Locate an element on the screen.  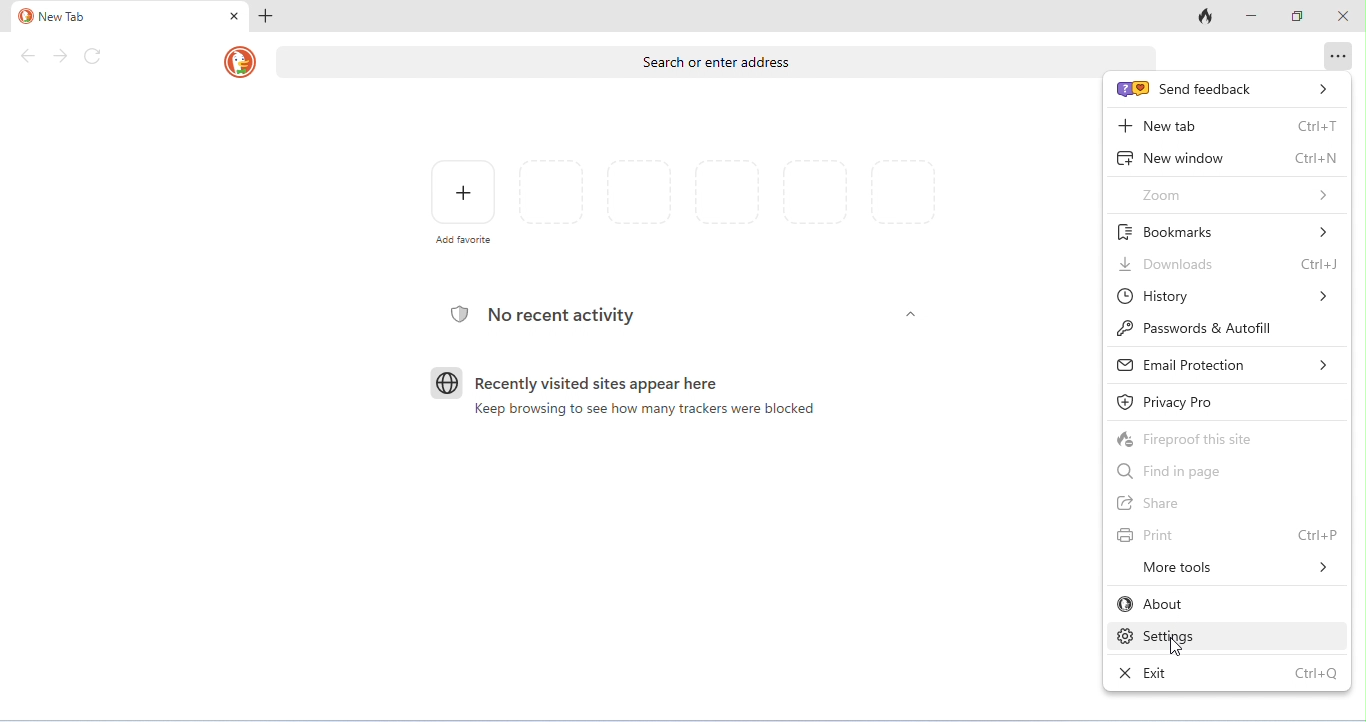
share is located at coordinates (1228, 503).